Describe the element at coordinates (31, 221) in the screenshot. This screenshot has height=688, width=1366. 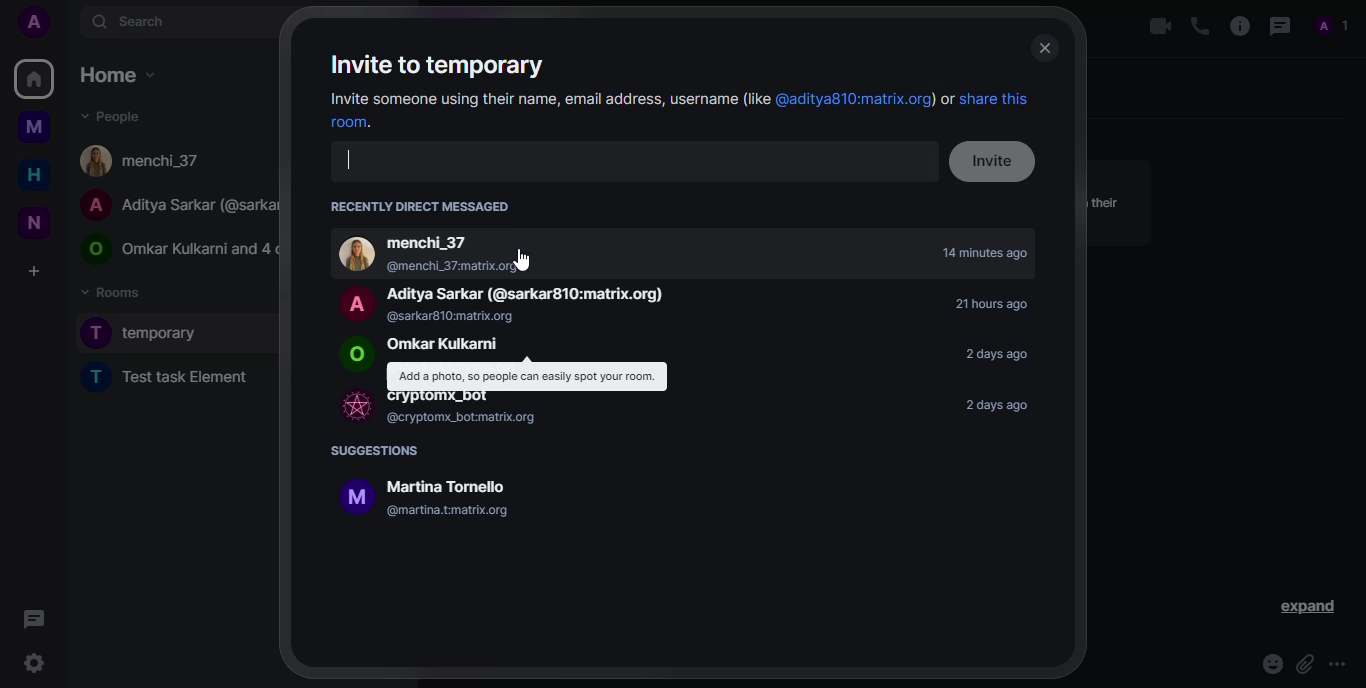
I see `new` at that location.